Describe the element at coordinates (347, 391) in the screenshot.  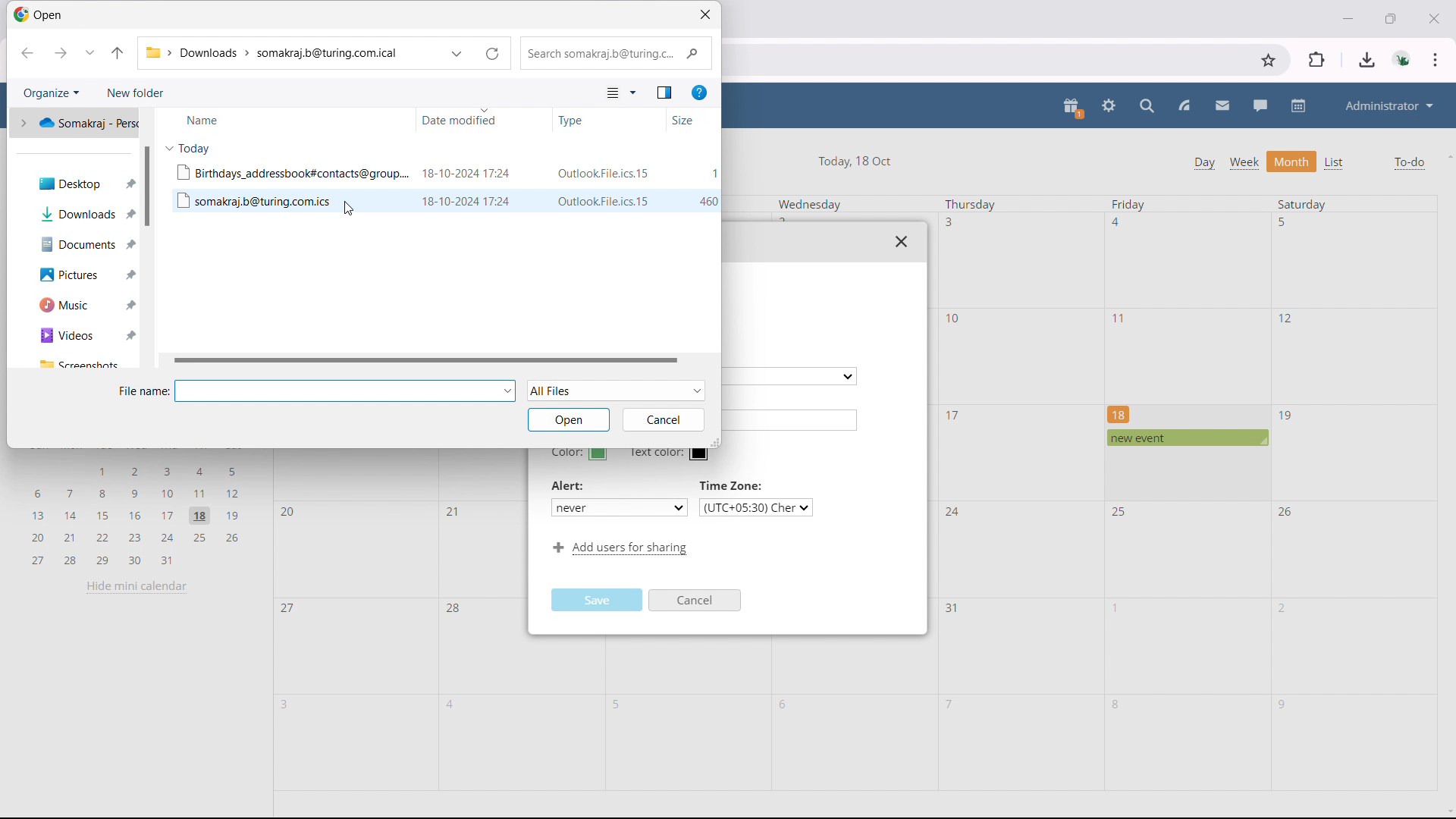
I see `file name` at that location.